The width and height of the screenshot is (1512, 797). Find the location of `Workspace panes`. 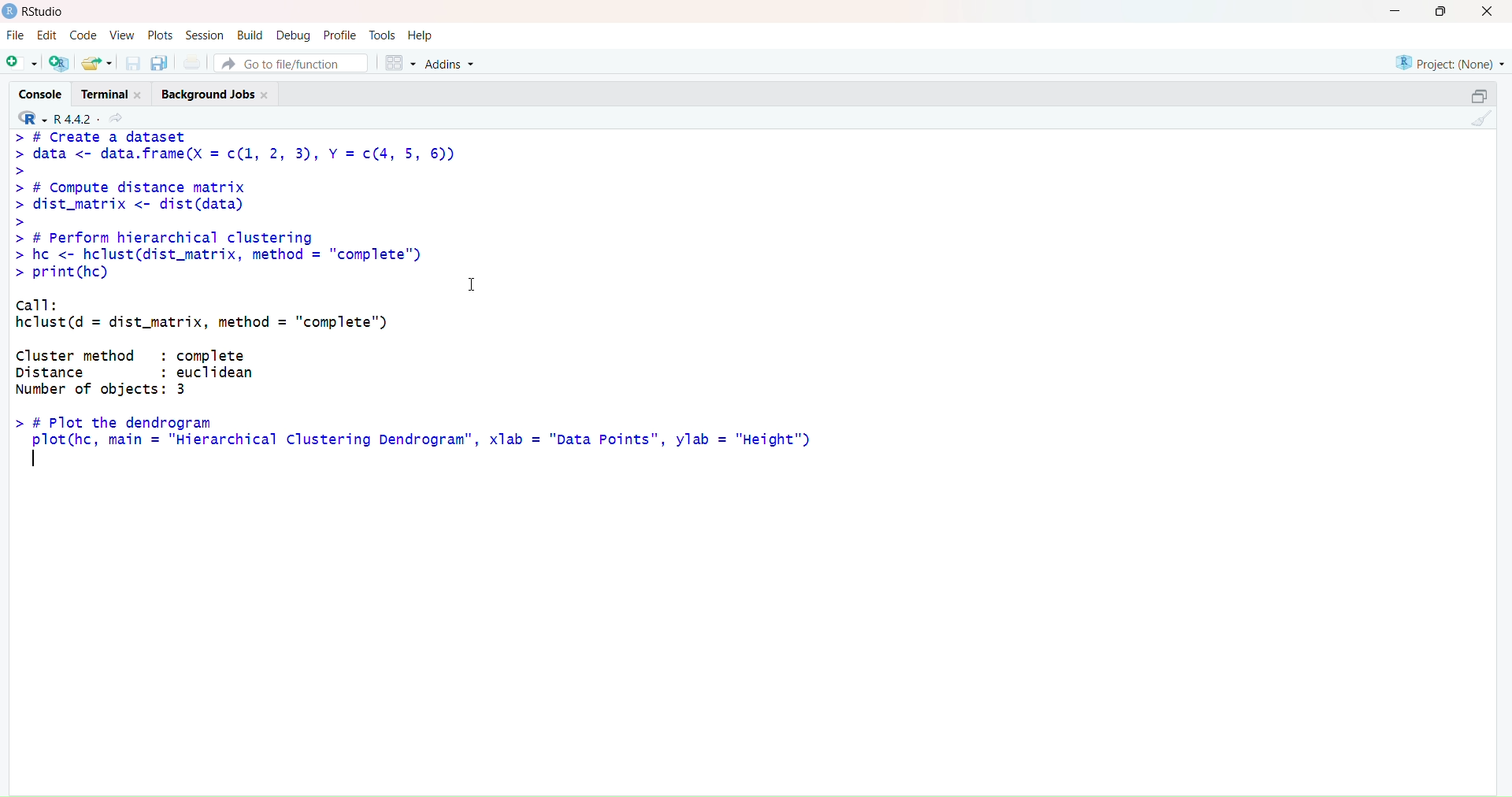

Workspace panes is located at coordinates (401, 61).